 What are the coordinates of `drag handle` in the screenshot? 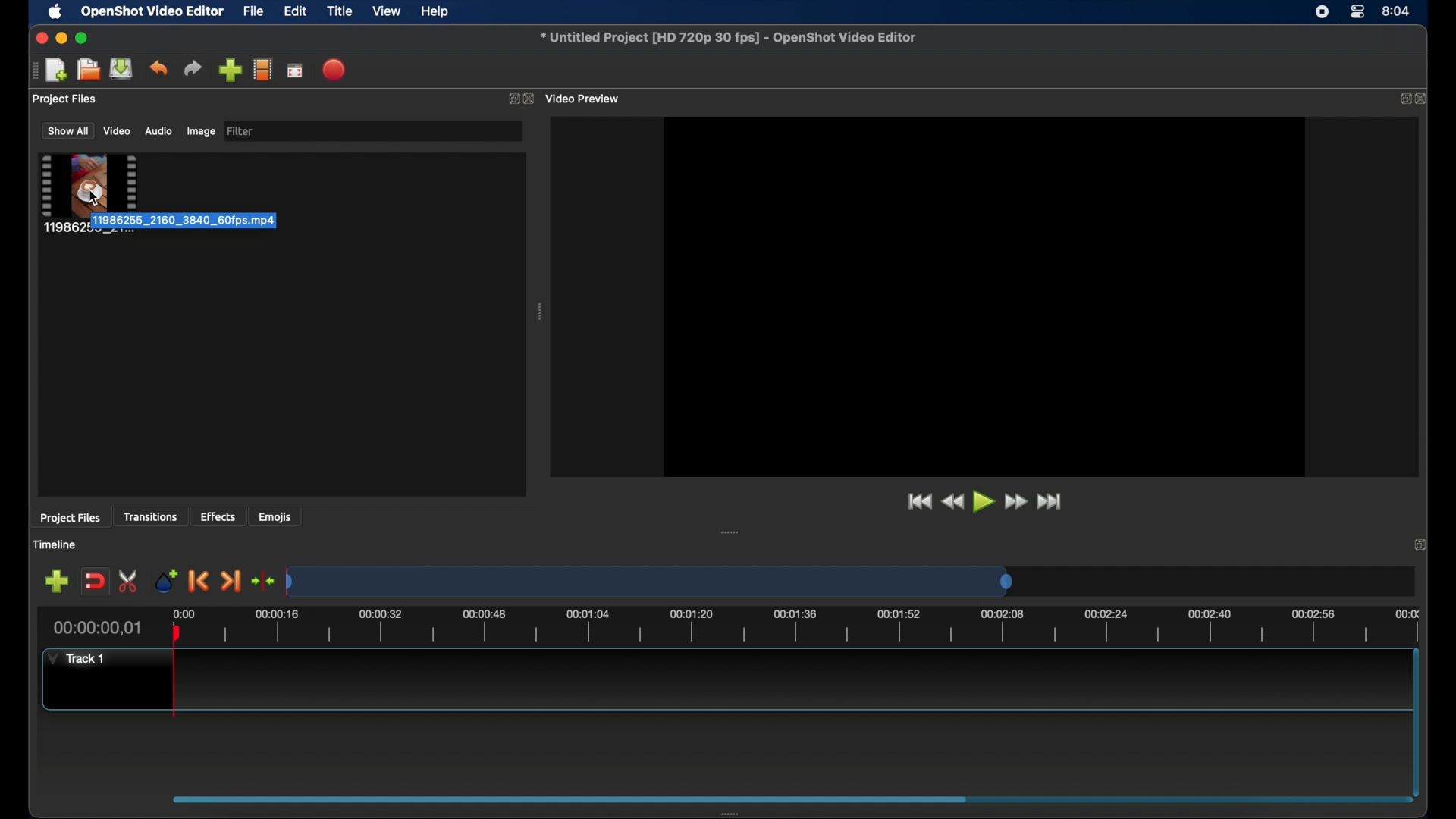 It's located at (731, 532).